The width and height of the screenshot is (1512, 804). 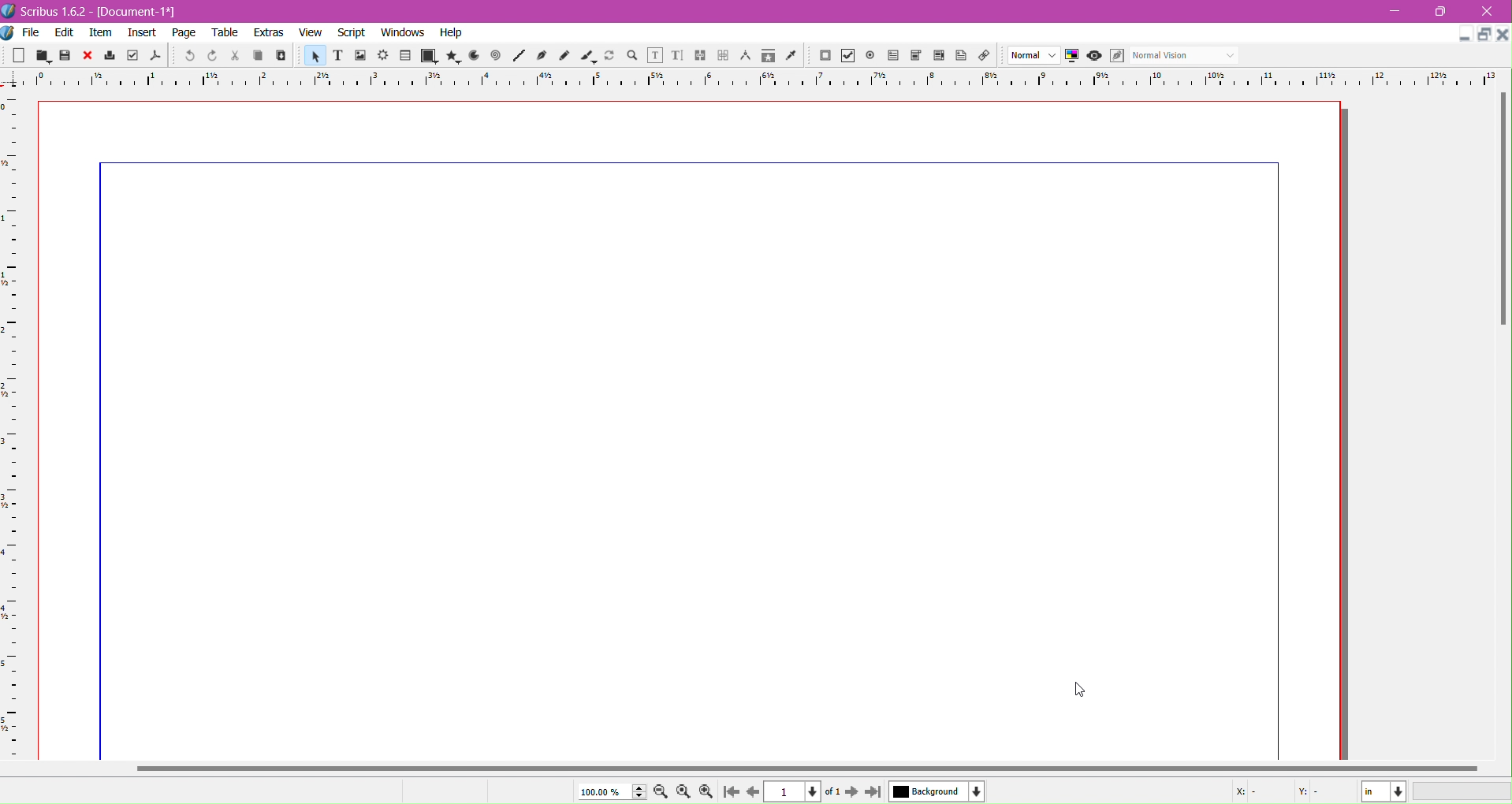 What do you see at coordinates (471, 56) in the screenshot?
I see `arc` at bounding box center [471, 56].